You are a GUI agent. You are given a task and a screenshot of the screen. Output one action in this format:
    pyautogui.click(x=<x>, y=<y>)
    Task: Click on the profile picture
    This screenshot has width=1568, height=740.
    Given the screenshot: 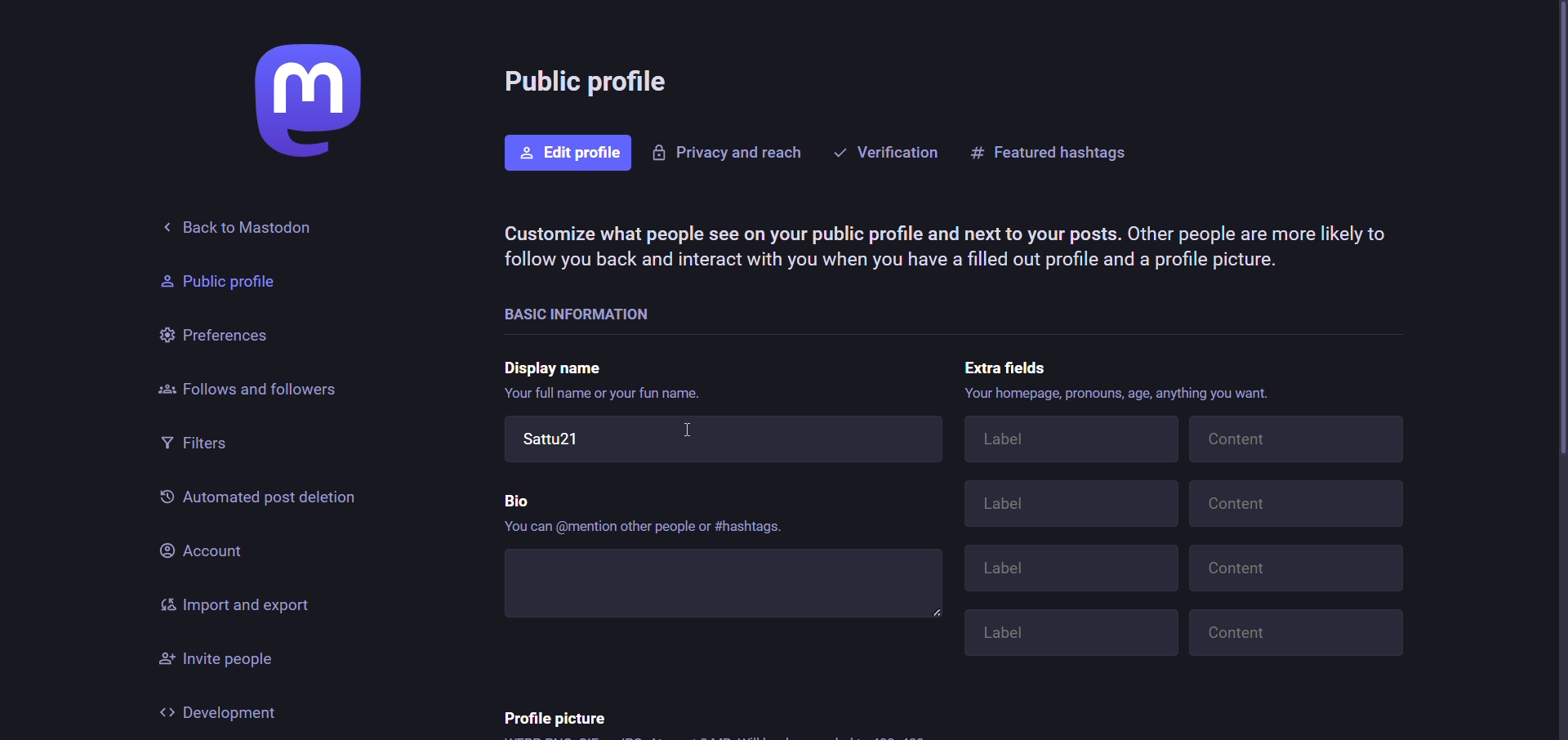 What is the action you would take?
    pyautogui.click(x=555, y=716)
    